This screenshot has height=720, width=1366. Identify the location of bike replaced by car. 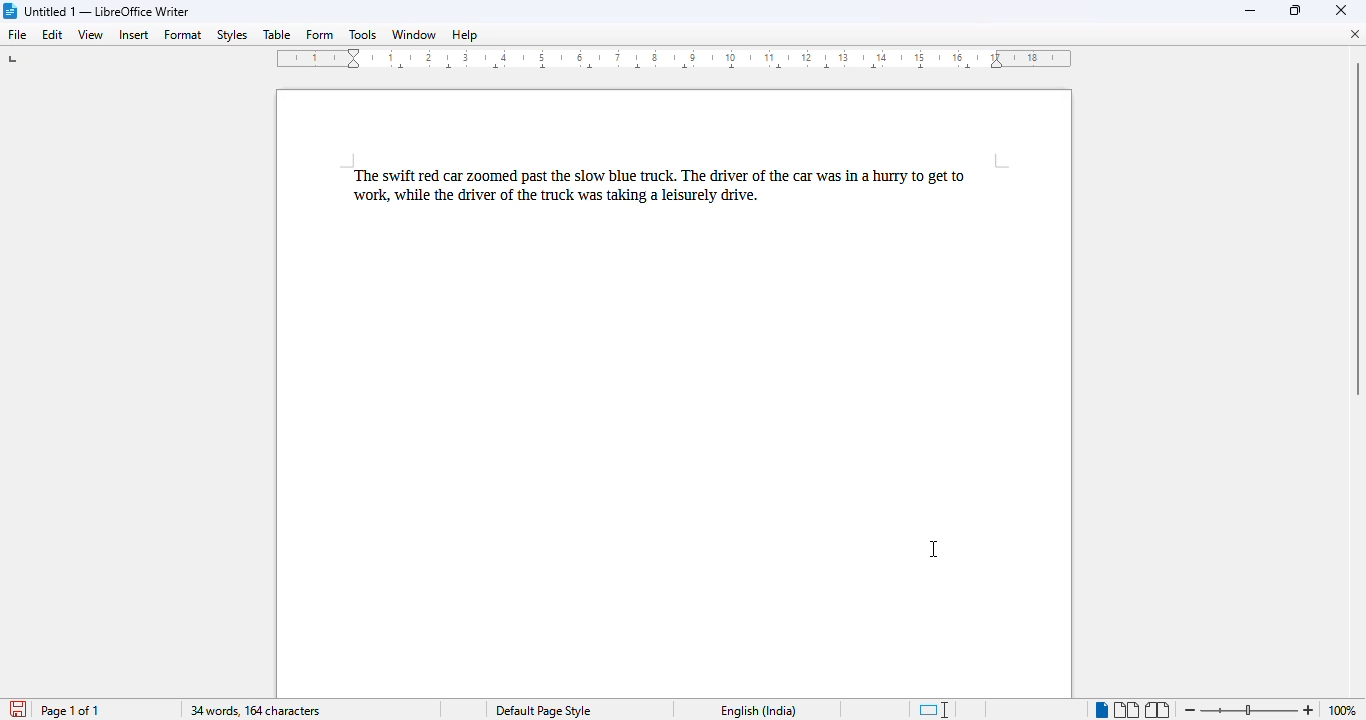
(803, 177).